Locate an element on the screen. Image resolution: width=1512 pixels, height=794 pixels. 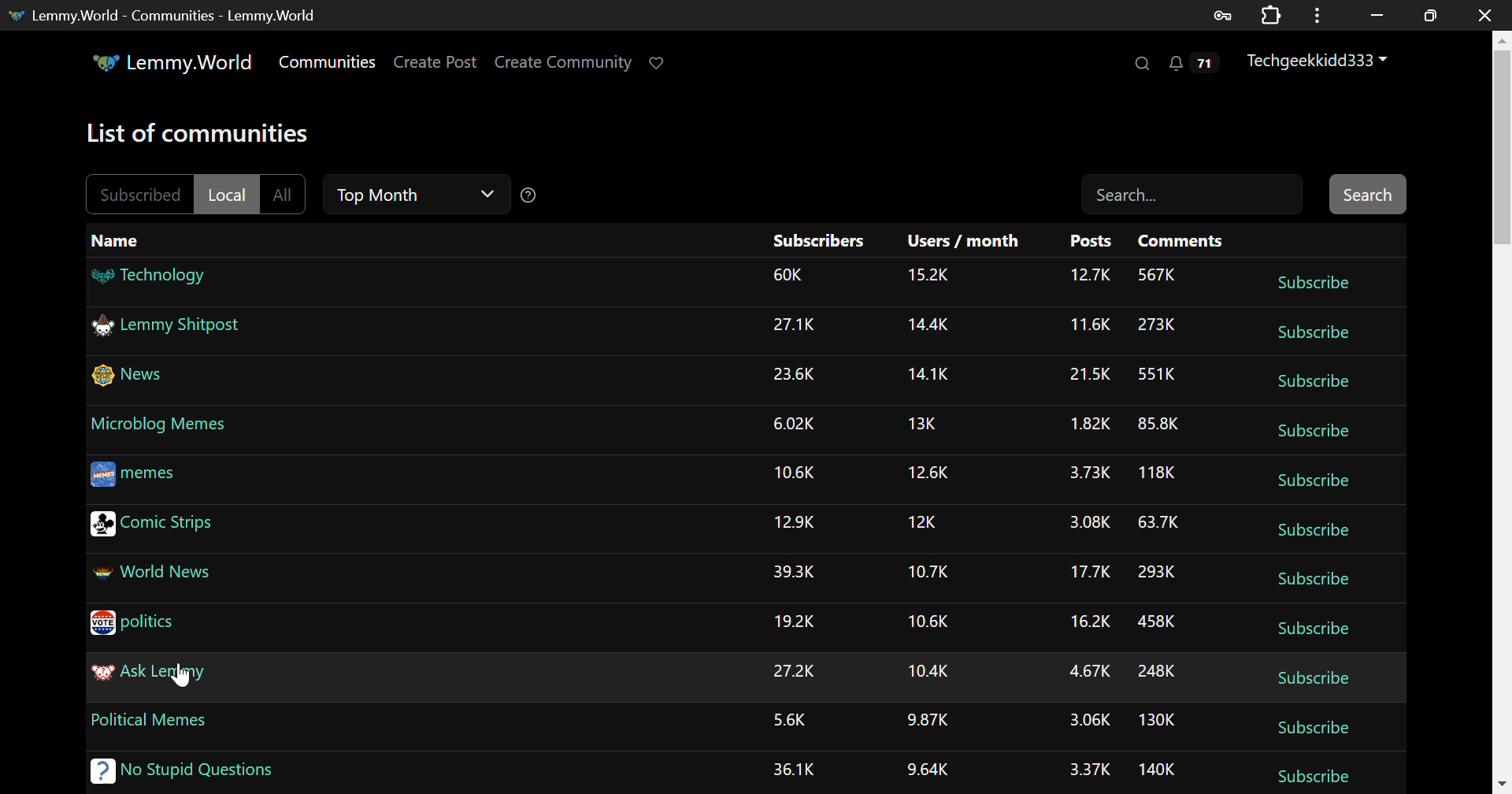
Subscribe is located at coordinates (1314, 680).